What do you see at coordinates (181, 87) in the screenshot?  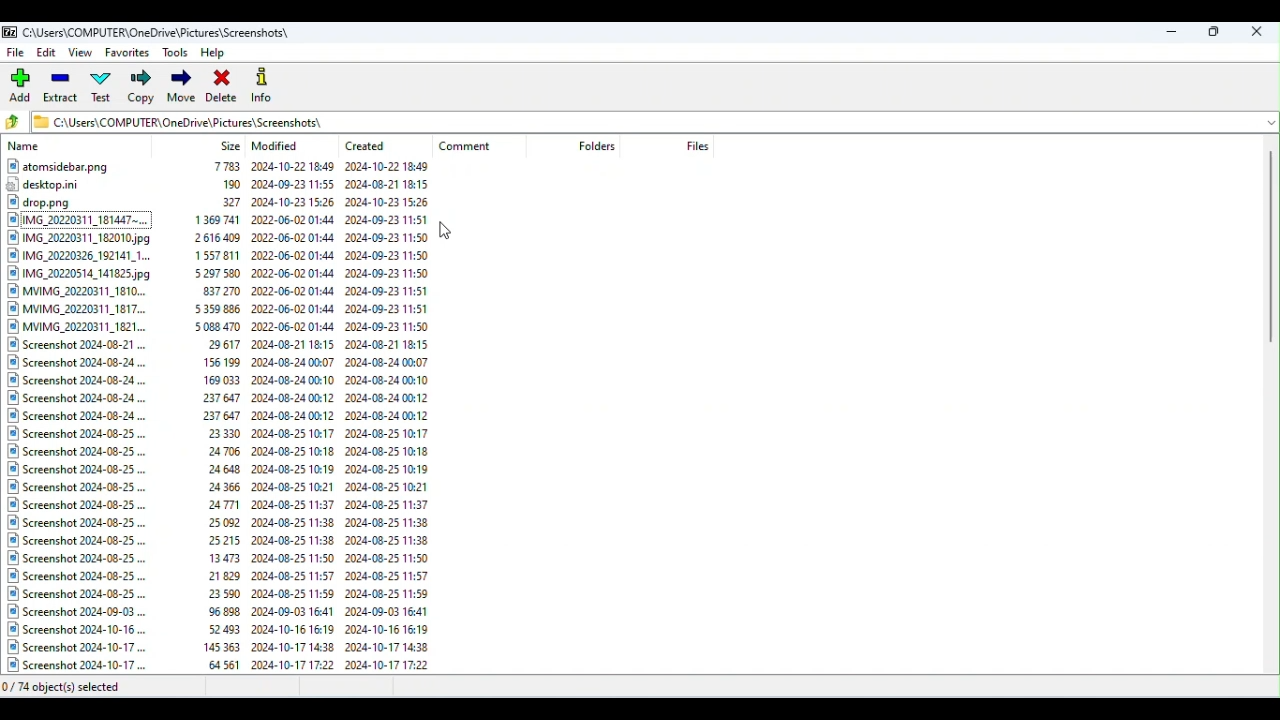 I see `Move` at bounding box center [181, 87].